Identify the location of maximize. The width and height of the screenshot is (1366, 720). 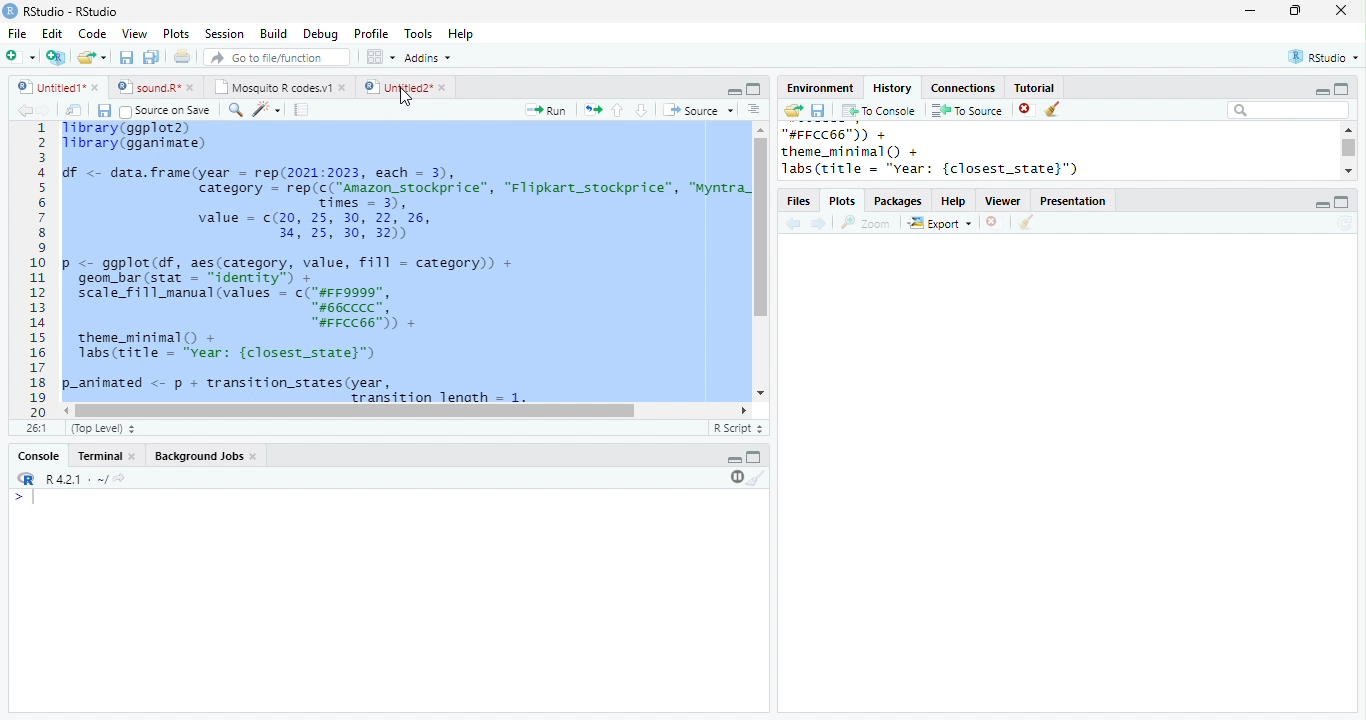
(1342, 88).